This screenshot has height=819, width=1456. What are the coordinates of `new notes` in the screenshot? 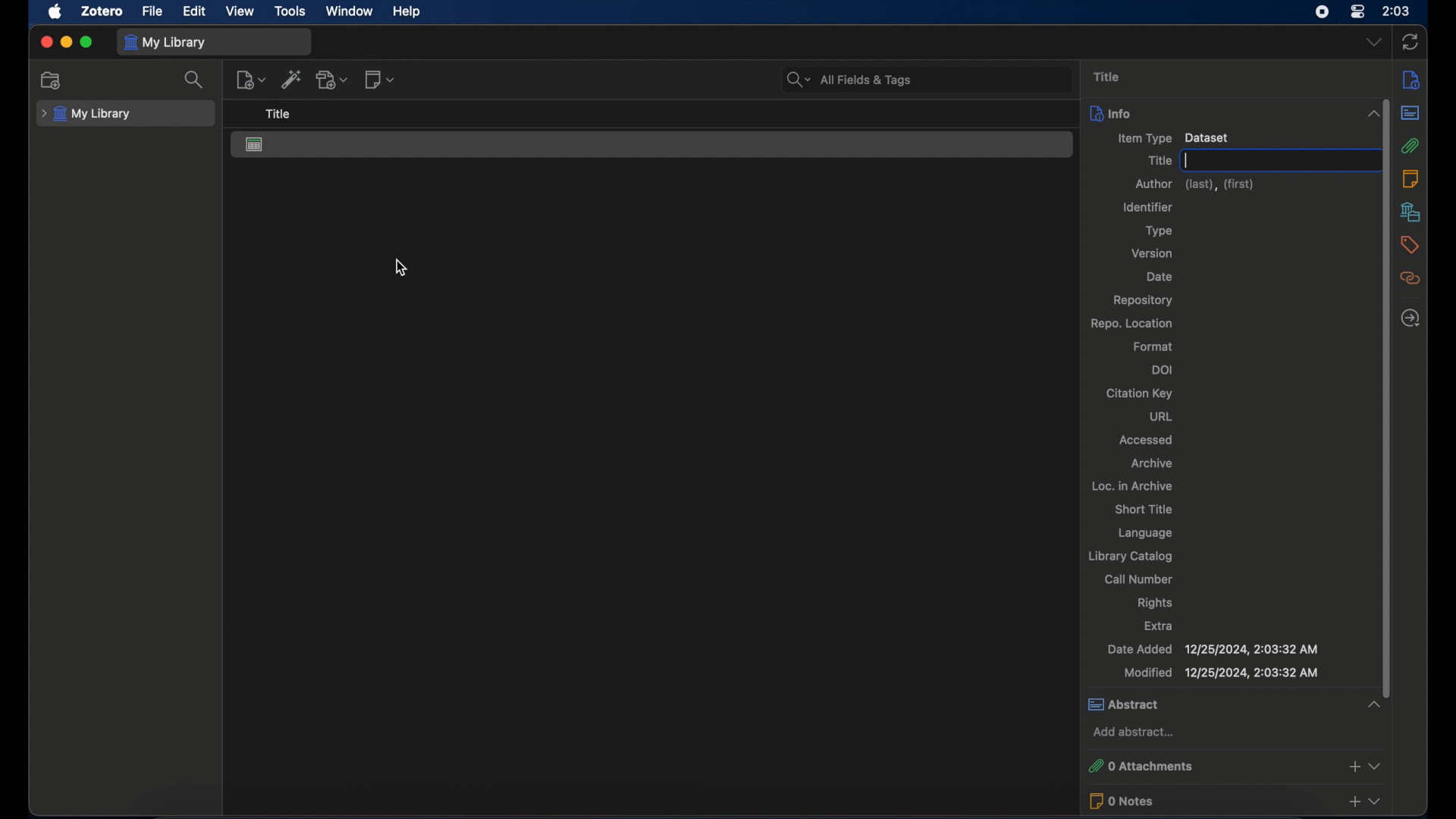 It's located at (381, 80).